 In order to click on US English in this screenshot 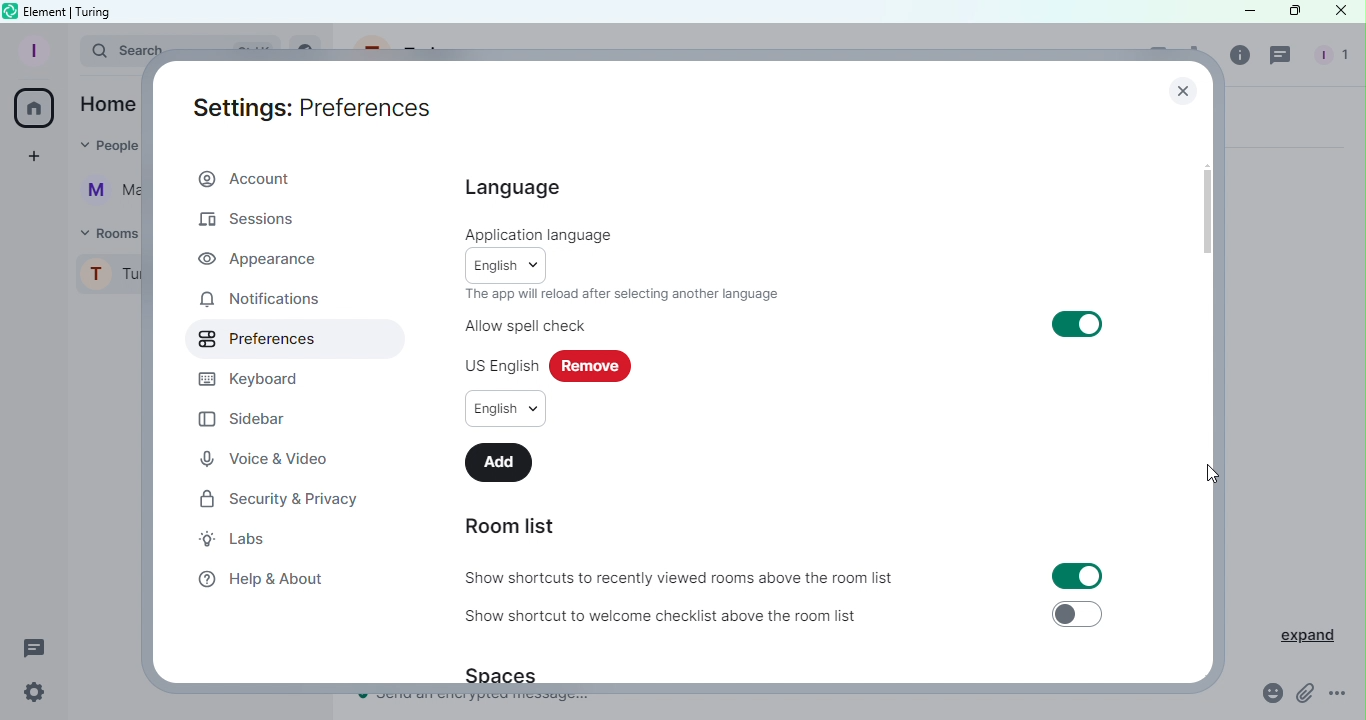, I will do `click(498, 365)`.